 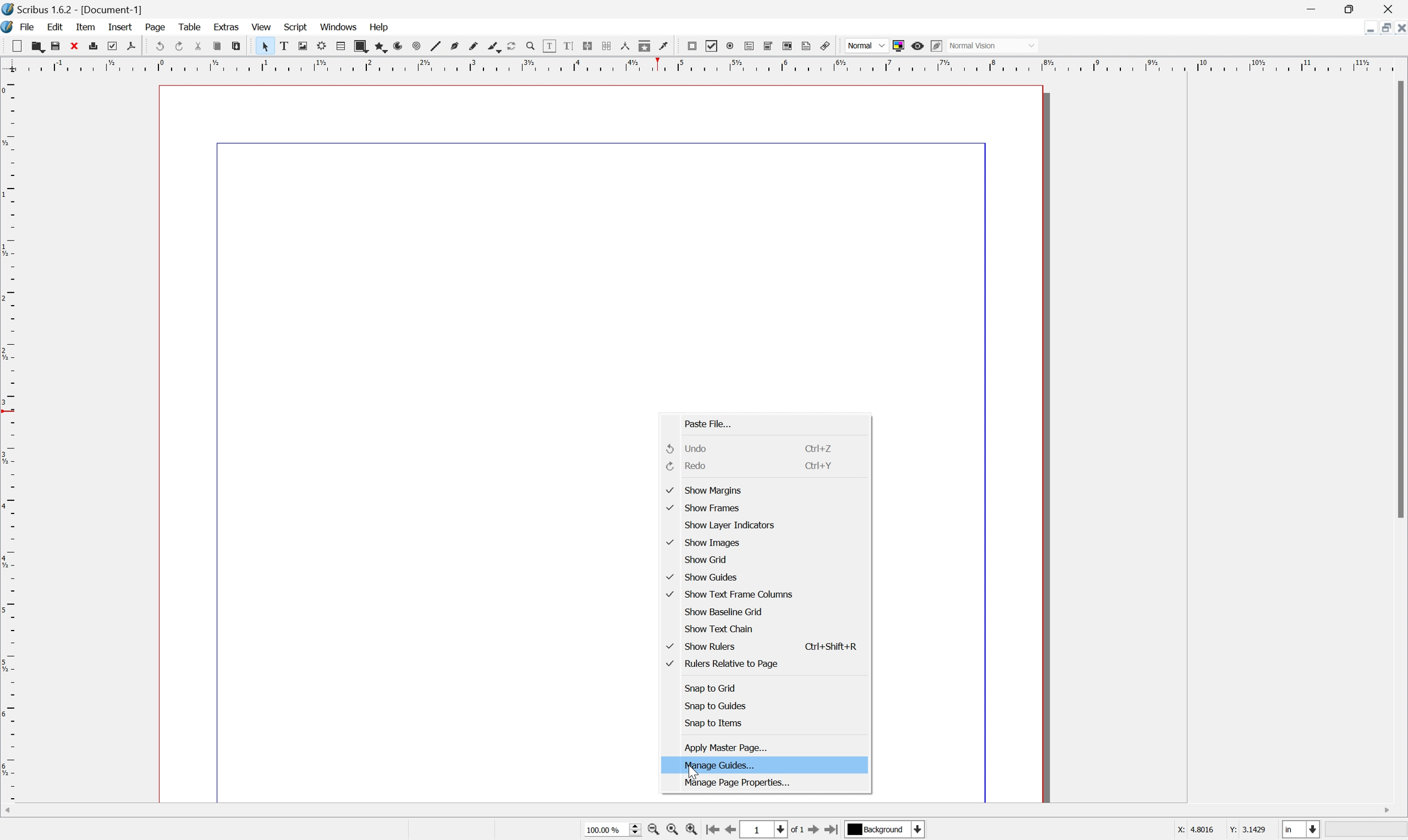 I want to click on pdf list box, so click(x=788, y=46).